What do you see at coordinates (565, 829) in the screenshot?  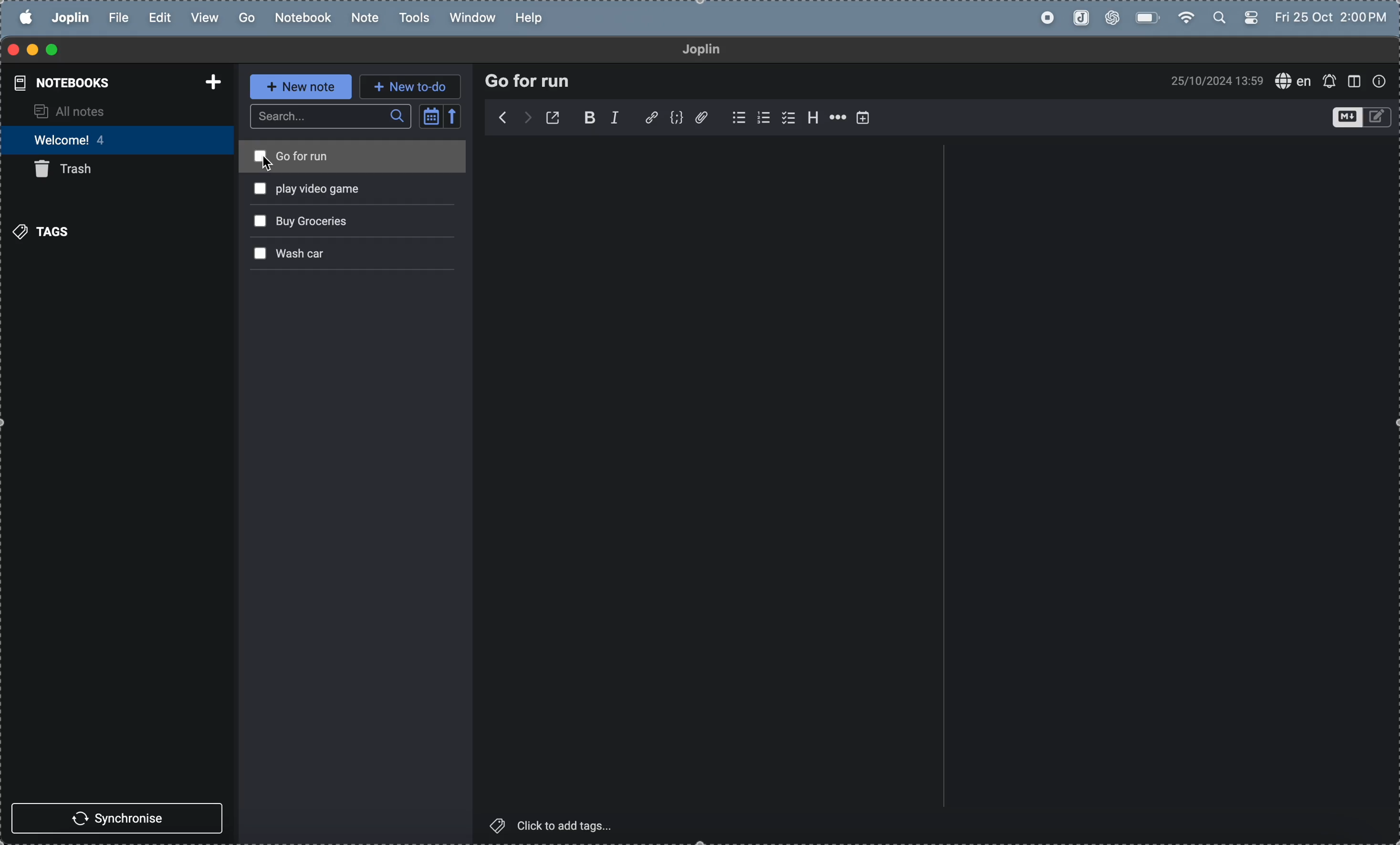 I see `click to add tags` at bounding box center [565, 829].